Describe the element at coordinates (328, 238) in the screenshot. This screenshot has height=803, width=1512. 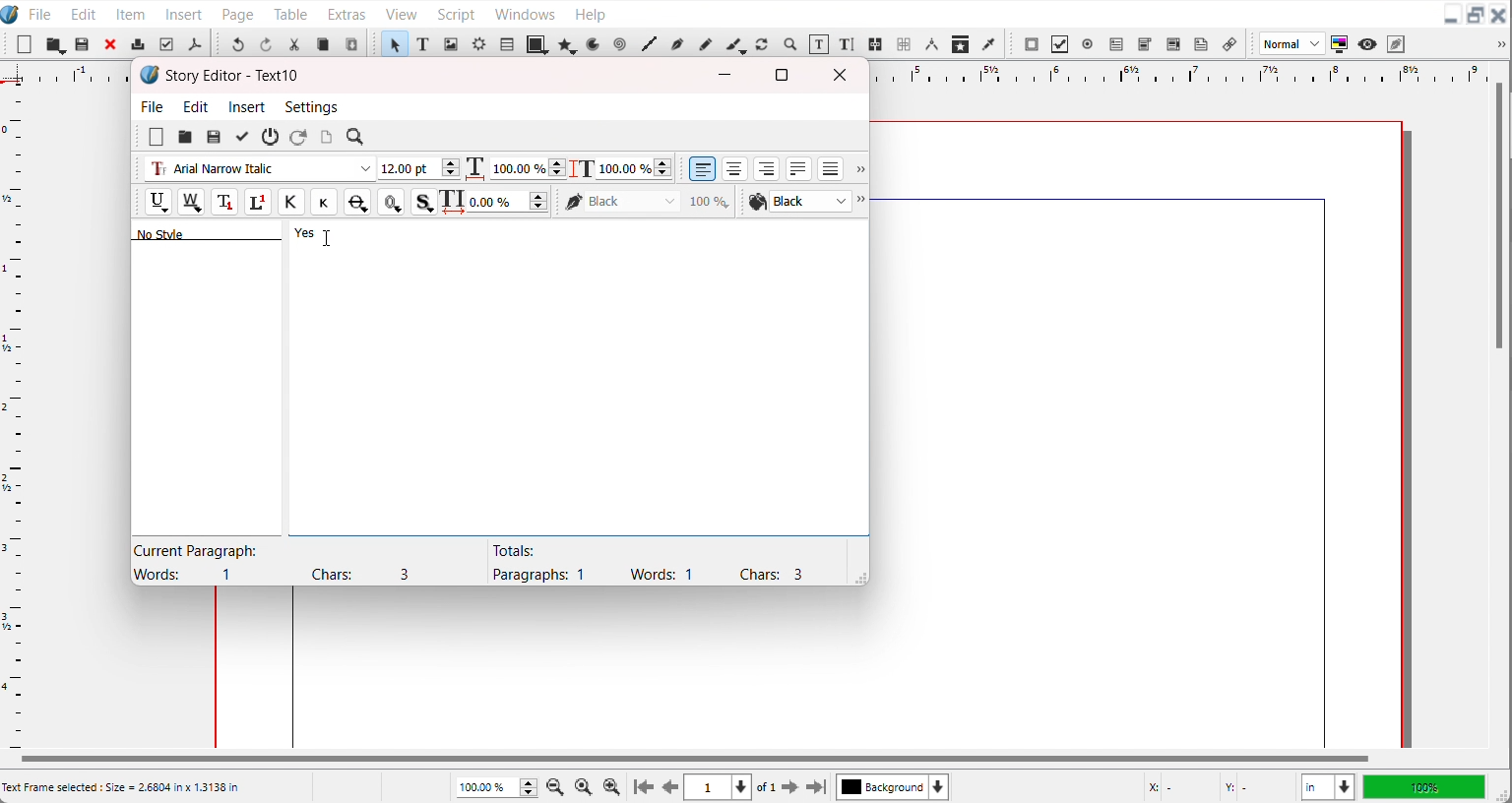
I see `Text Cursor` at that location.